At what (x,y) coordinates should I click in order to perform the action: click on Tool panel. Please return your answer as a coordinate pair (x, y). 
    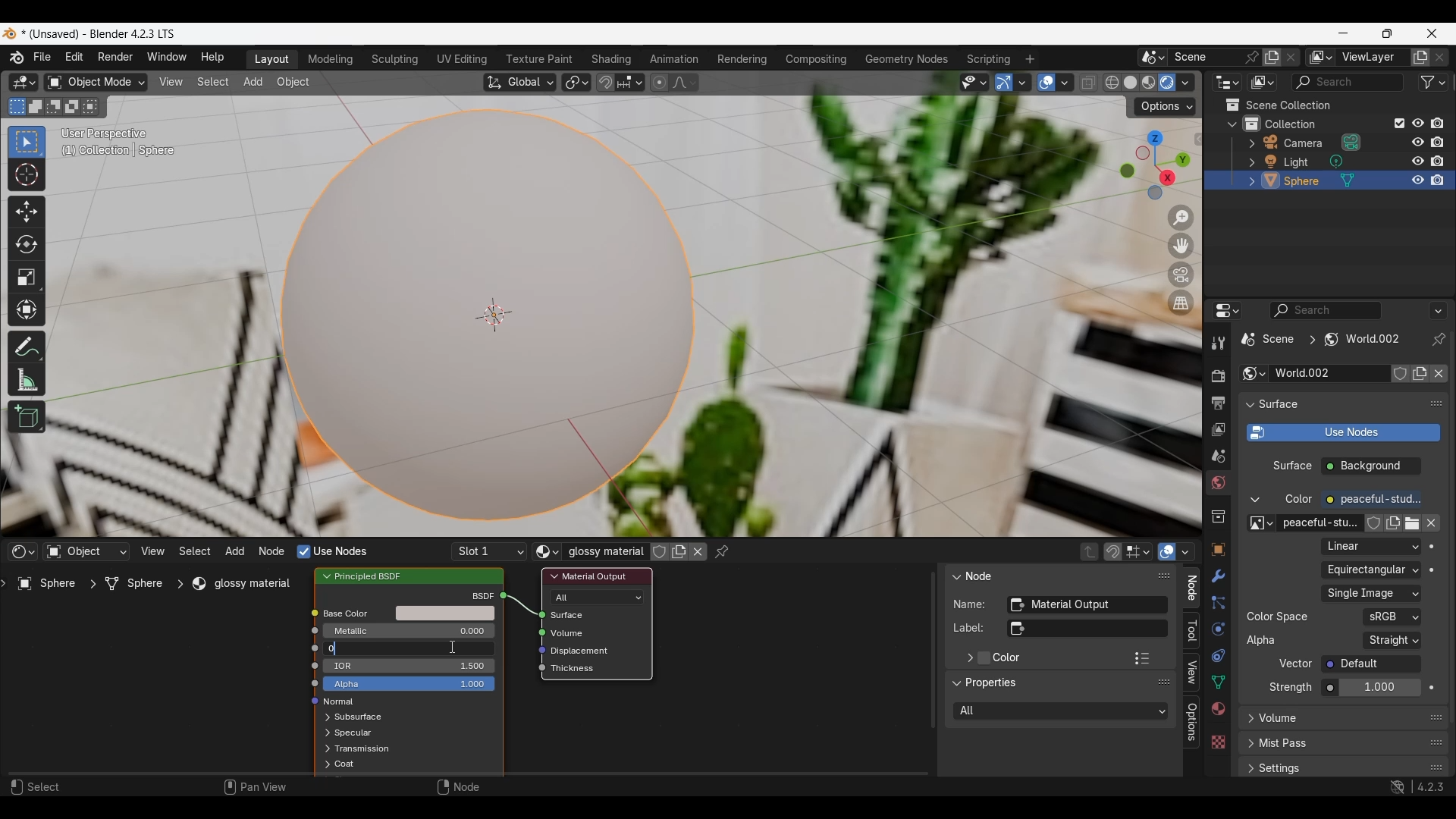
    Looking at the image, I should click on (1192, 631).